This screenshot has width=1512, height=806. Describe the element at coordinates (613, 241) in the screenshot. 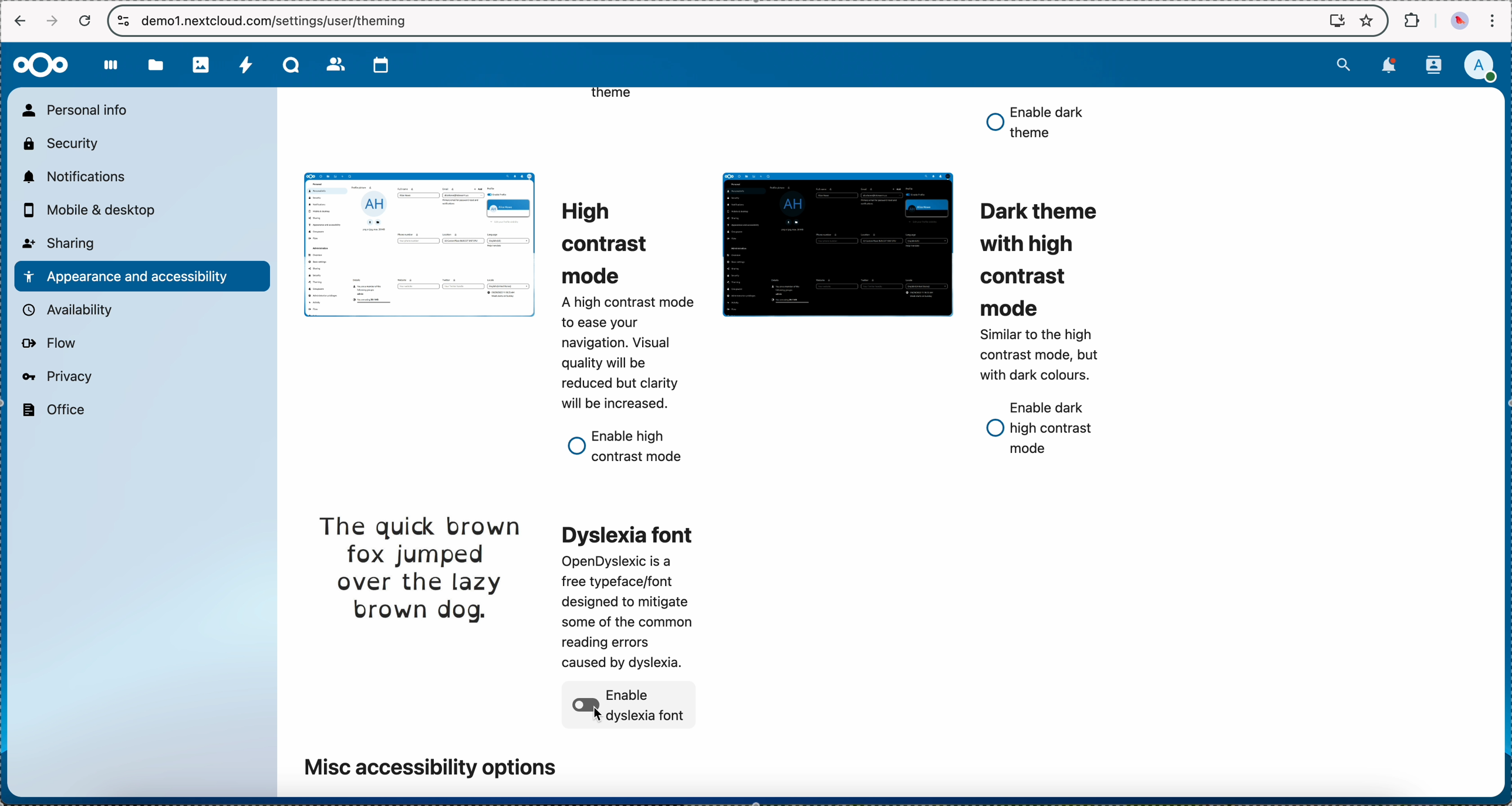

I see `high contrast mode` at that location.